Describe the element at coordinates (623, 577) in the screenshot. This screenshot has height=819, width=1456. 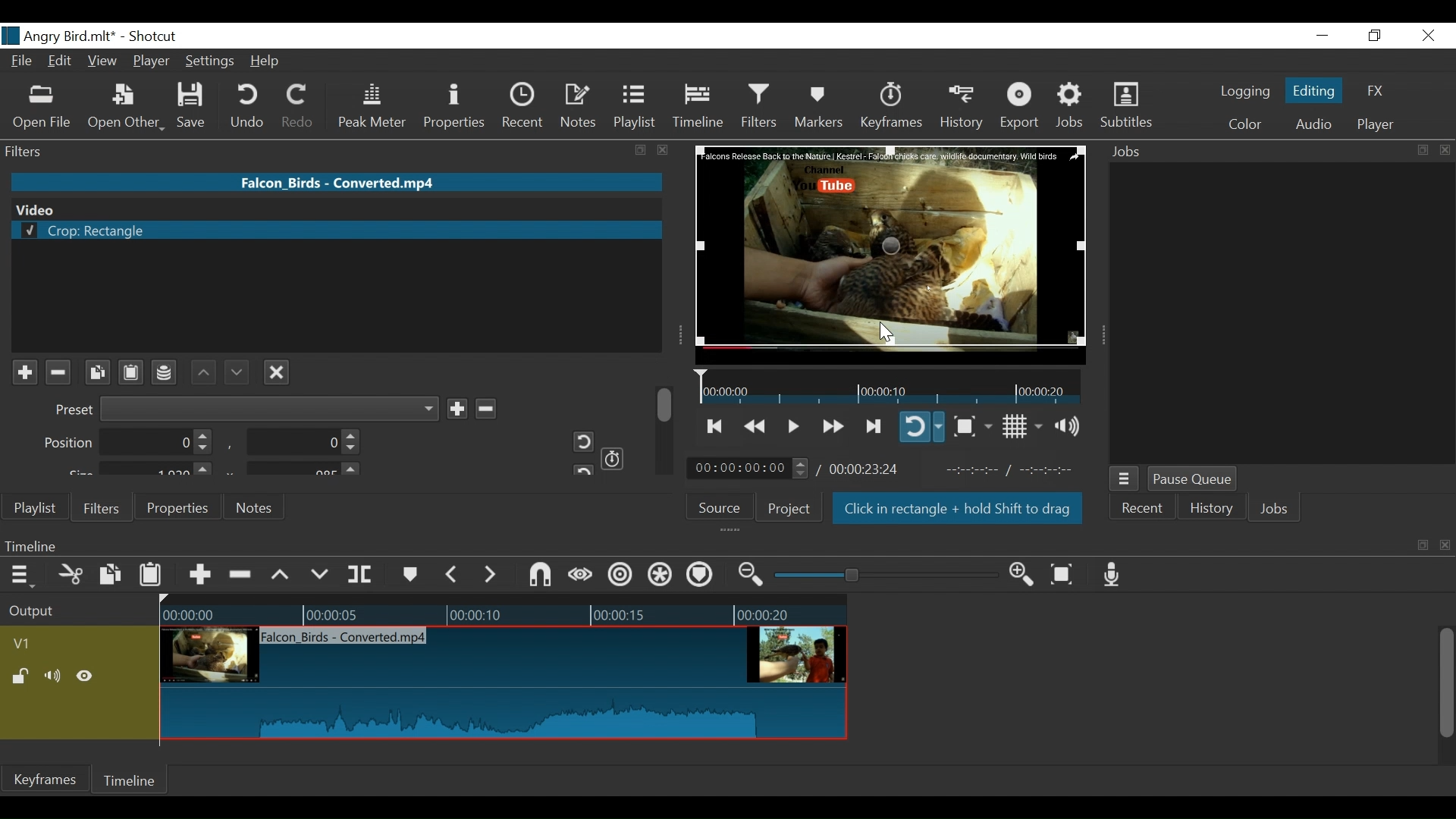
I see `Ripple` at that location.